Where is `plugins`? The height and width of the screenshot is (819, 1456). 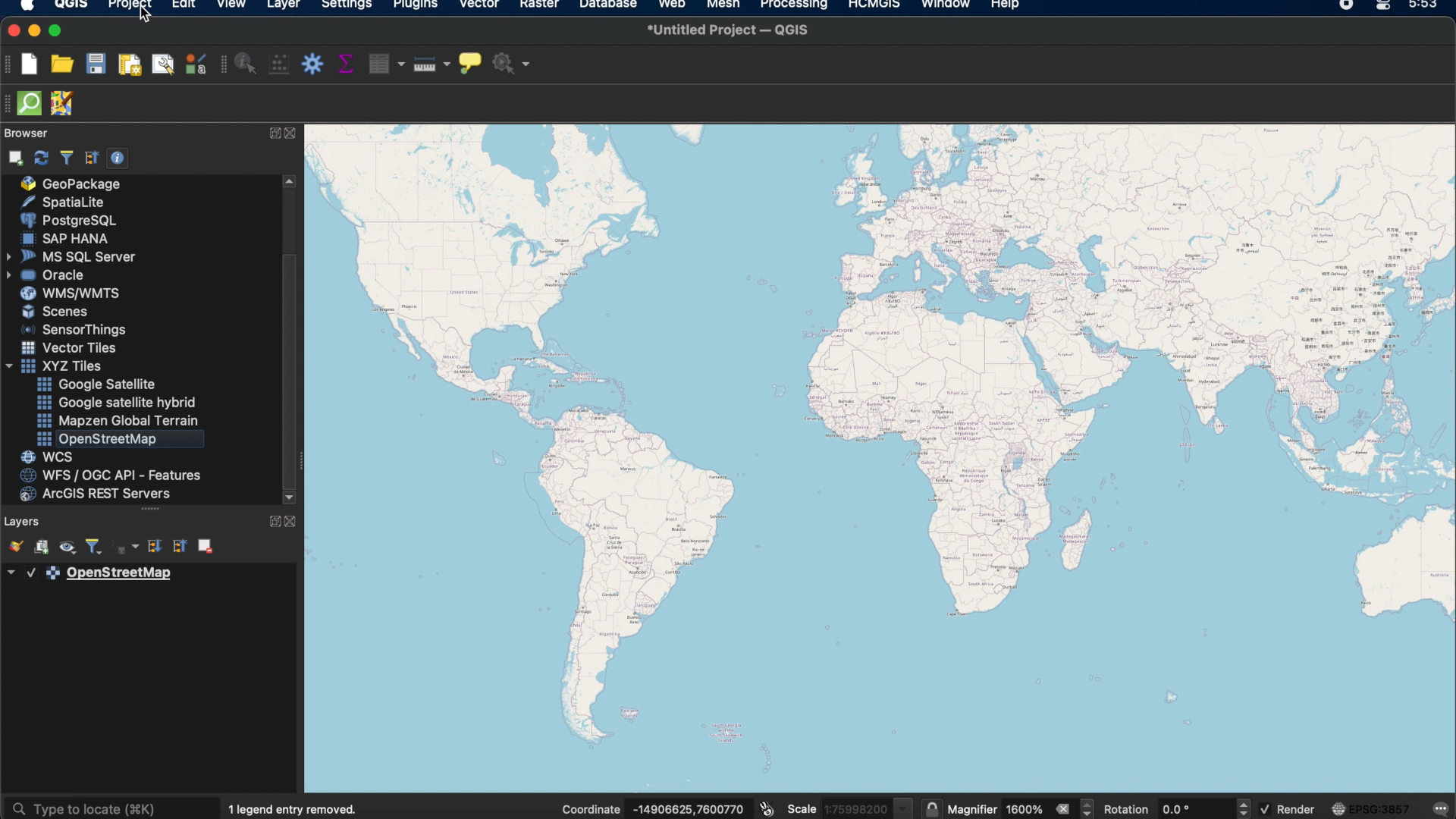
plugins is located at coordinates (416, 6).